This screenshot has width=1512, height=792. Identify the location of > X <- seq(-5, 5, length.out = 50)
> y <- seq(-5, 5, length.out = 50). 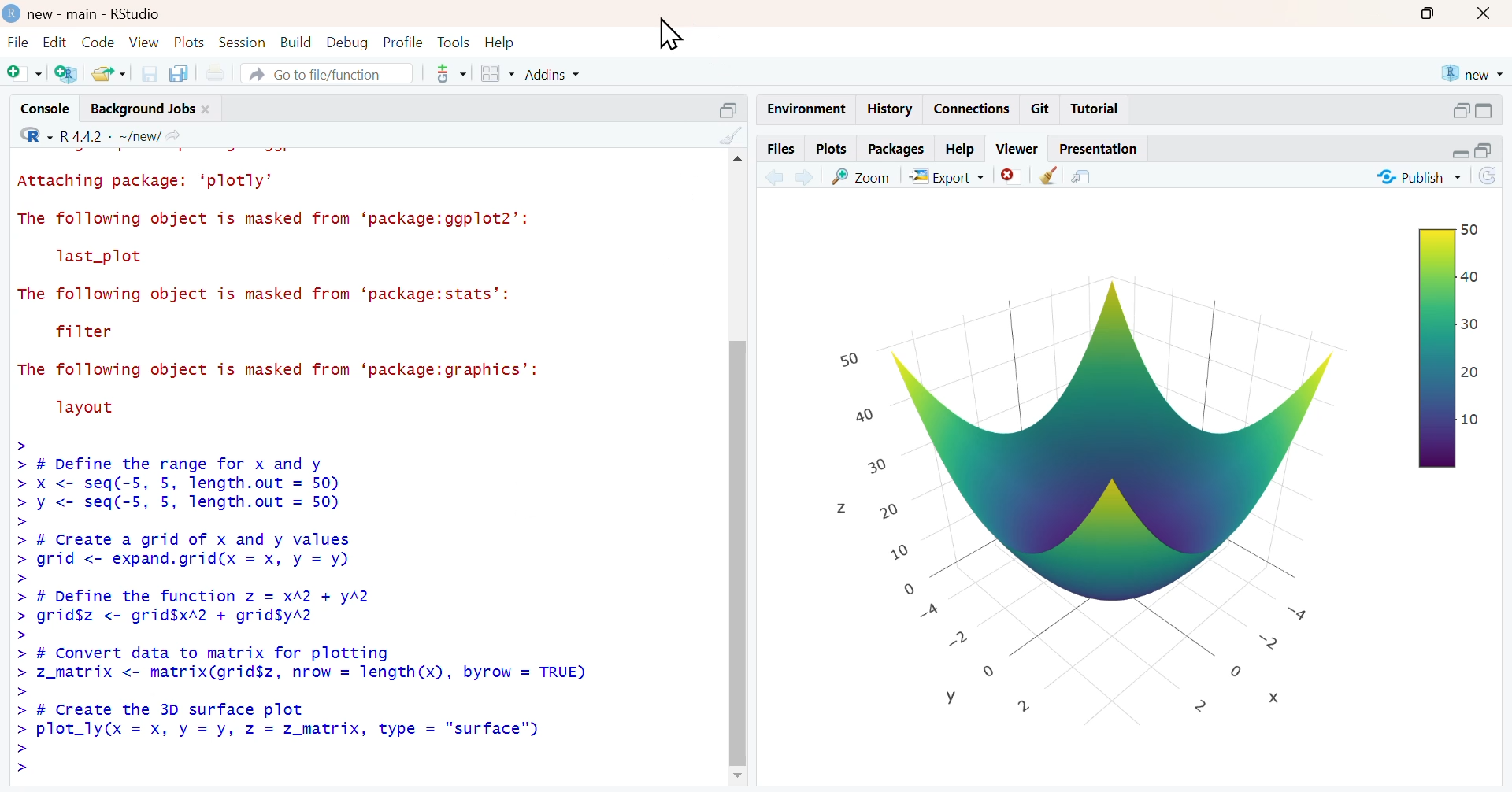
(187, 495).